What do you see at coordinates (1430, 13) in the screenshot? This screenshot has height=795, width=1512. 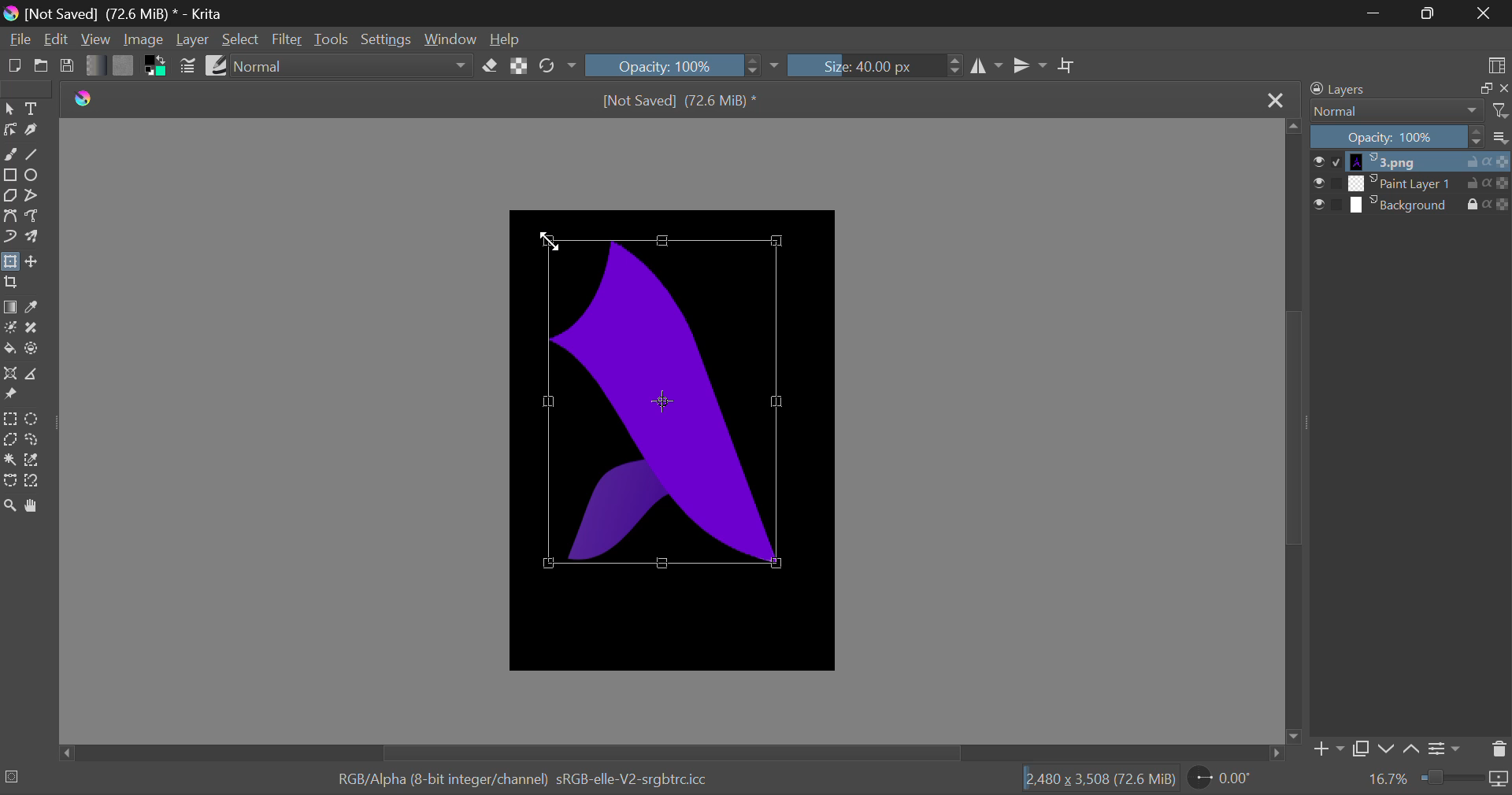 I see `Minimize` at bounding box center [1430, 13].